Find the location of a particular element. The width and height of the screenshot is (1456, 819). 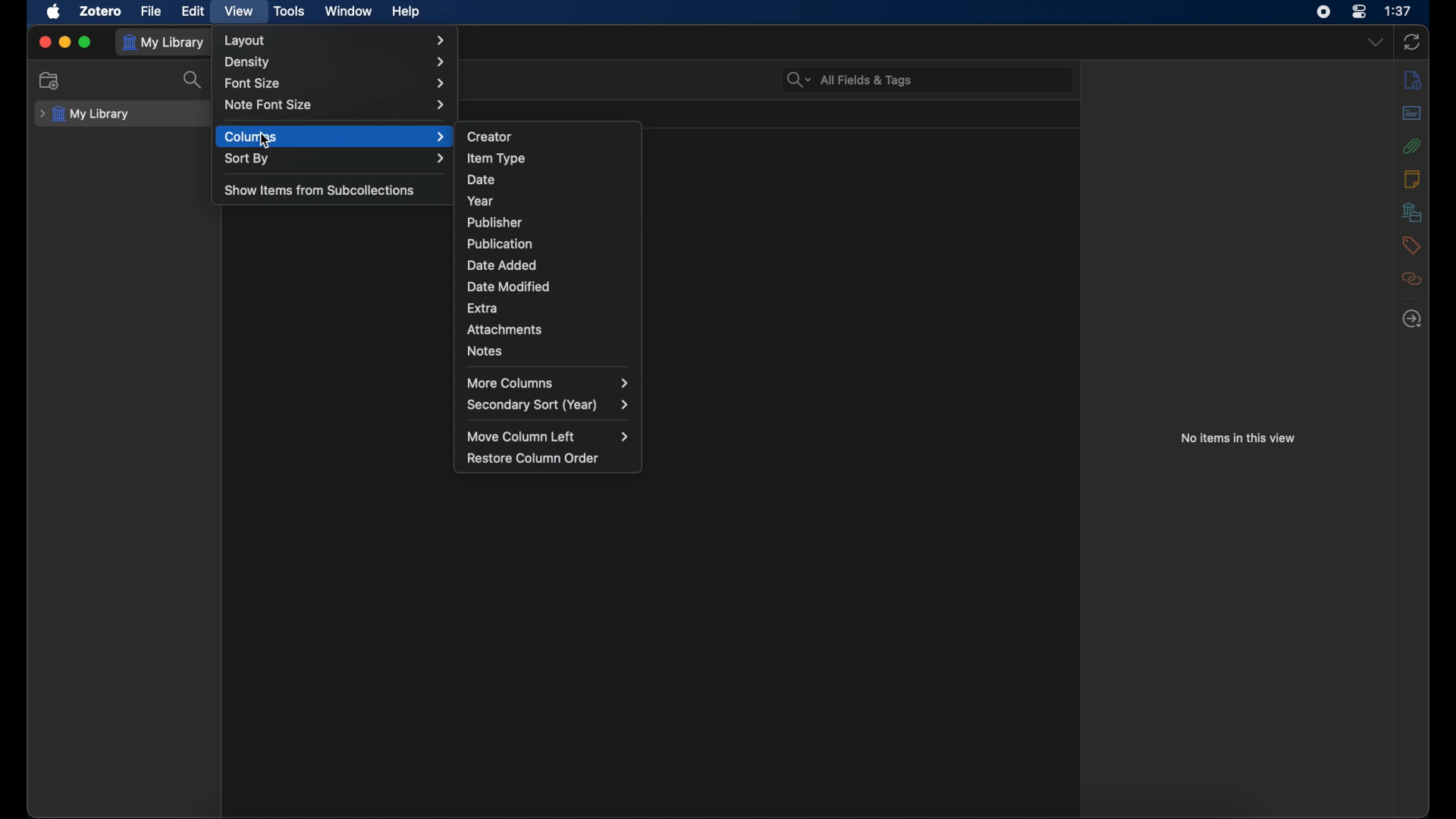

Cursor is located at coordinates (265, 142).